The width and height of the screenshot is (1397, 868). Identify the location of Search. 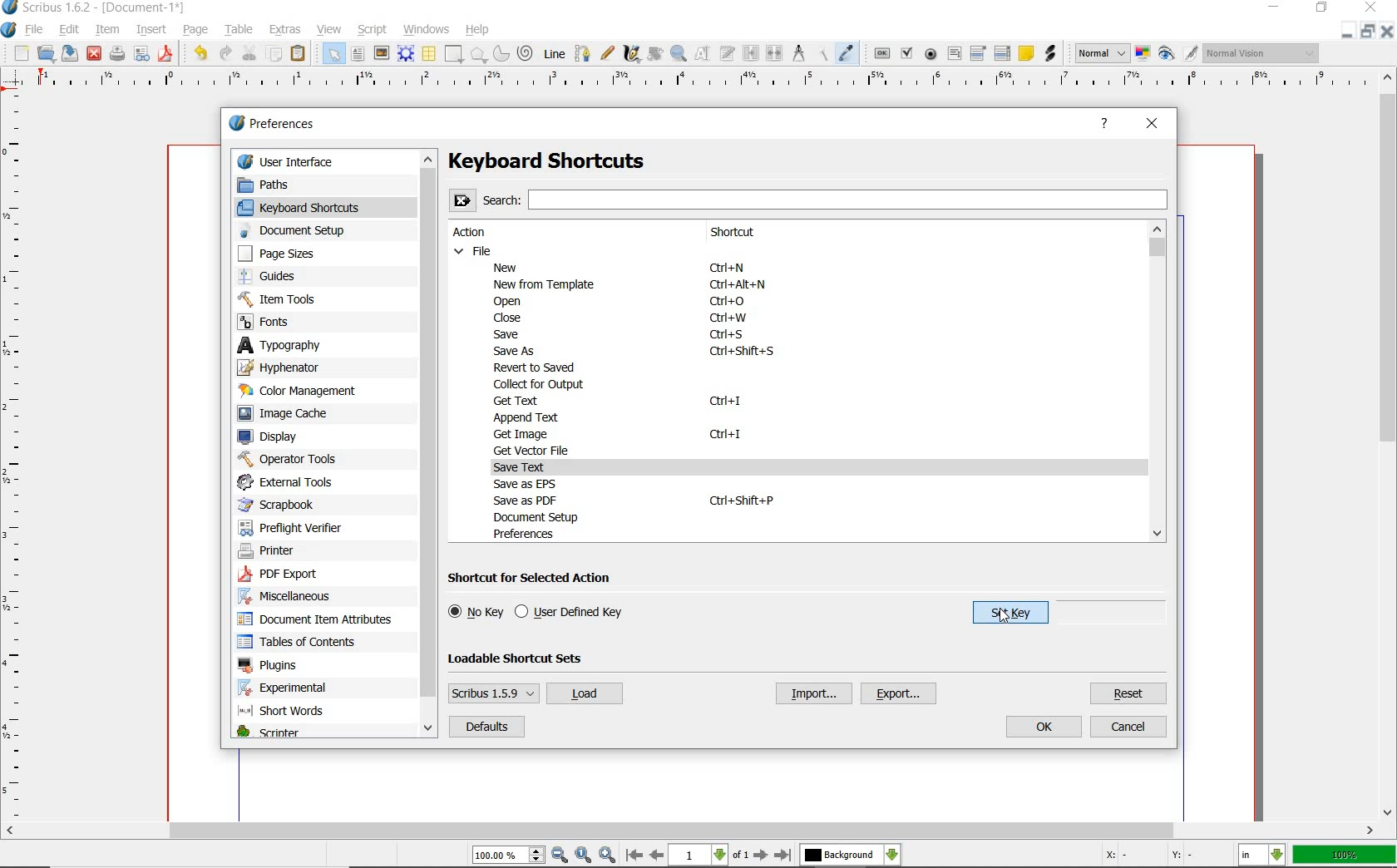
(809, 199).